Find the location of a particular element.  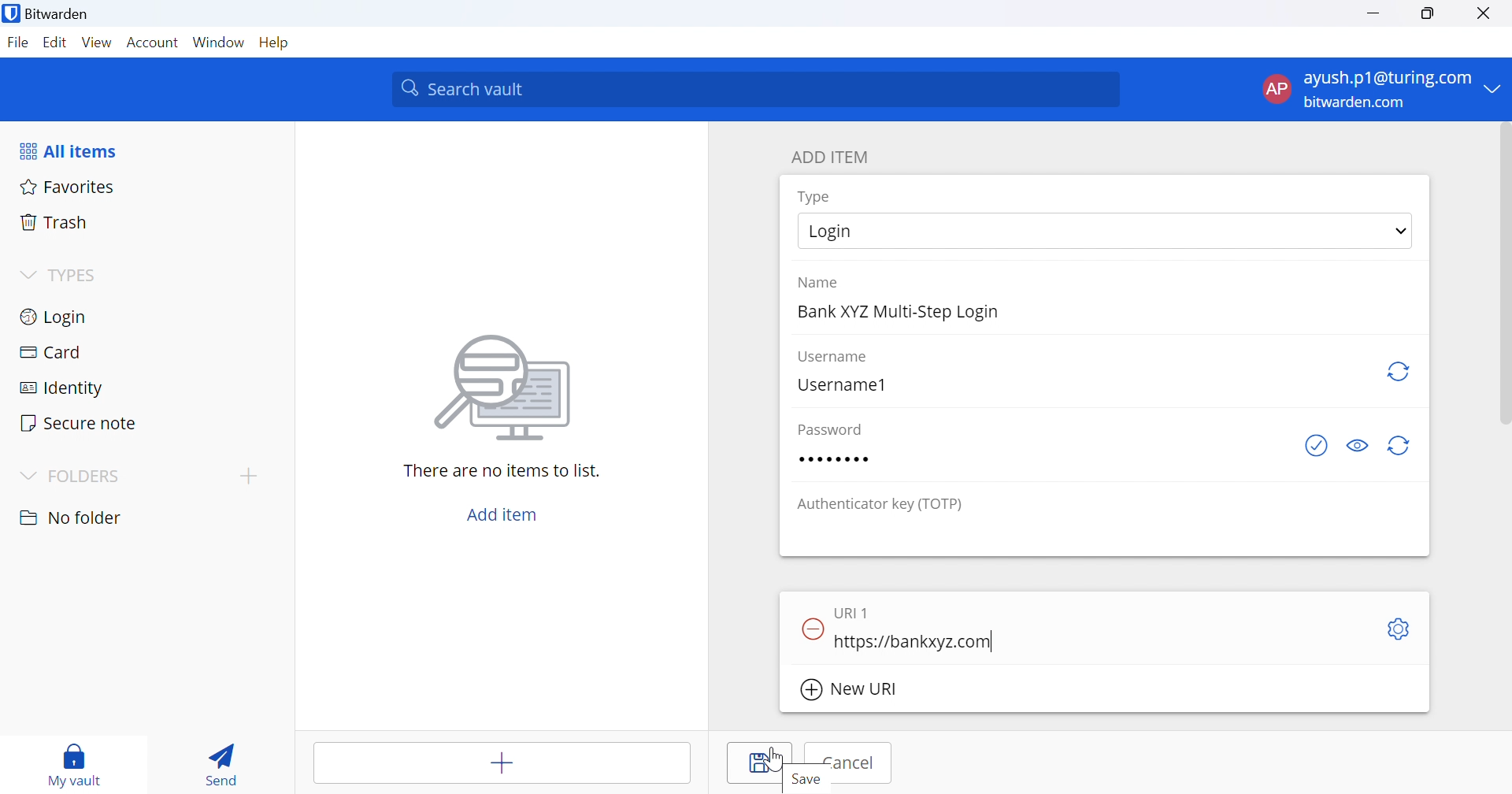

ADD ITEM is located at coordinates (834, 155).